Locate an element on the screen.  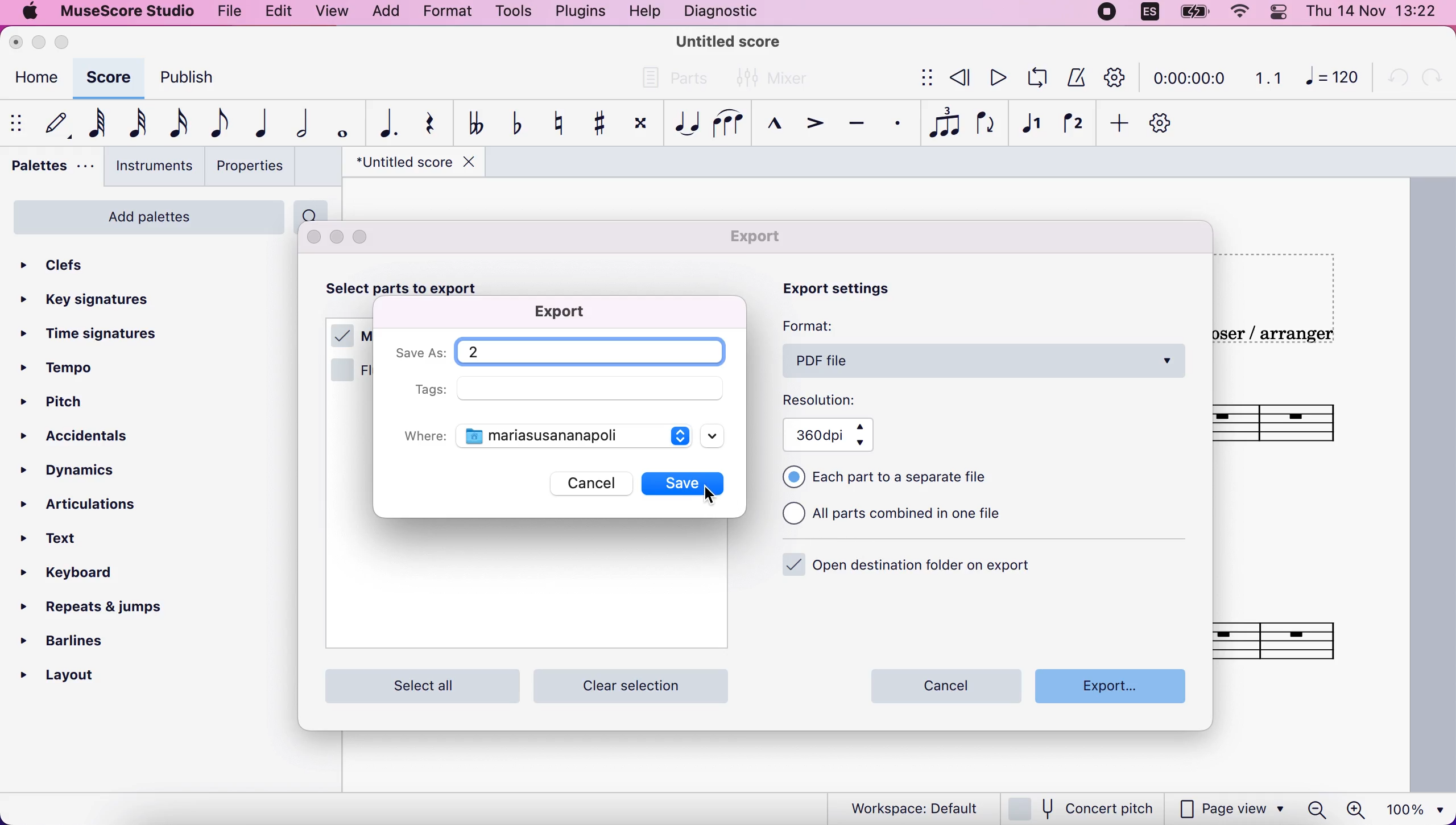
1.1 is located at coordinates (1267, 79).